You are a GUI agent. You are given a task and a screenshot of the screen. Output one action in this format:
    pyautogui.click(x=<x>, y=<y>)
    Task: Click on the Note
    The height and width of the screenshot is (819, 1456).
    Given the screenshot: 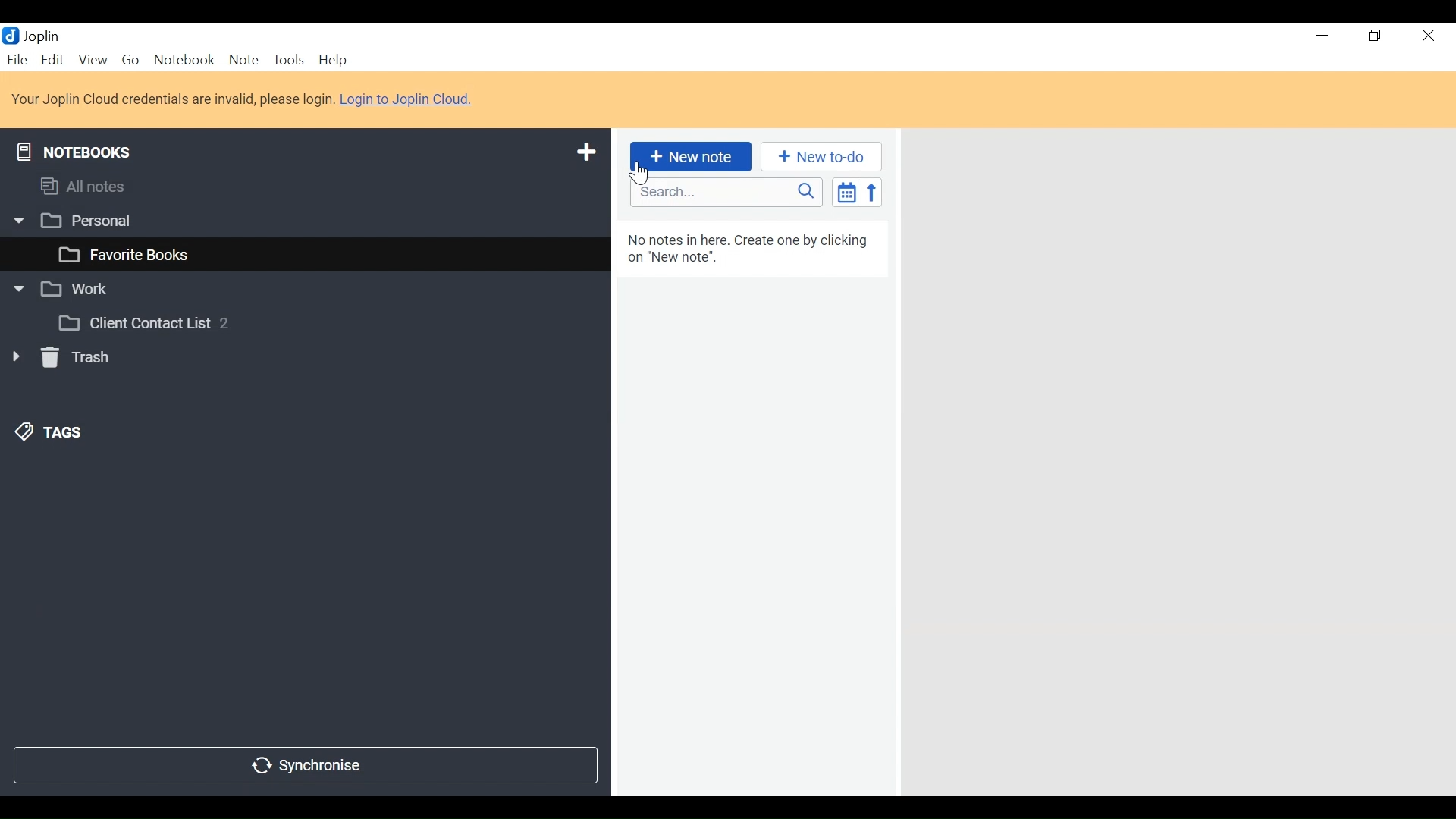 What is the action you would take?
    pyautogui.click(x=242, y=60)
    